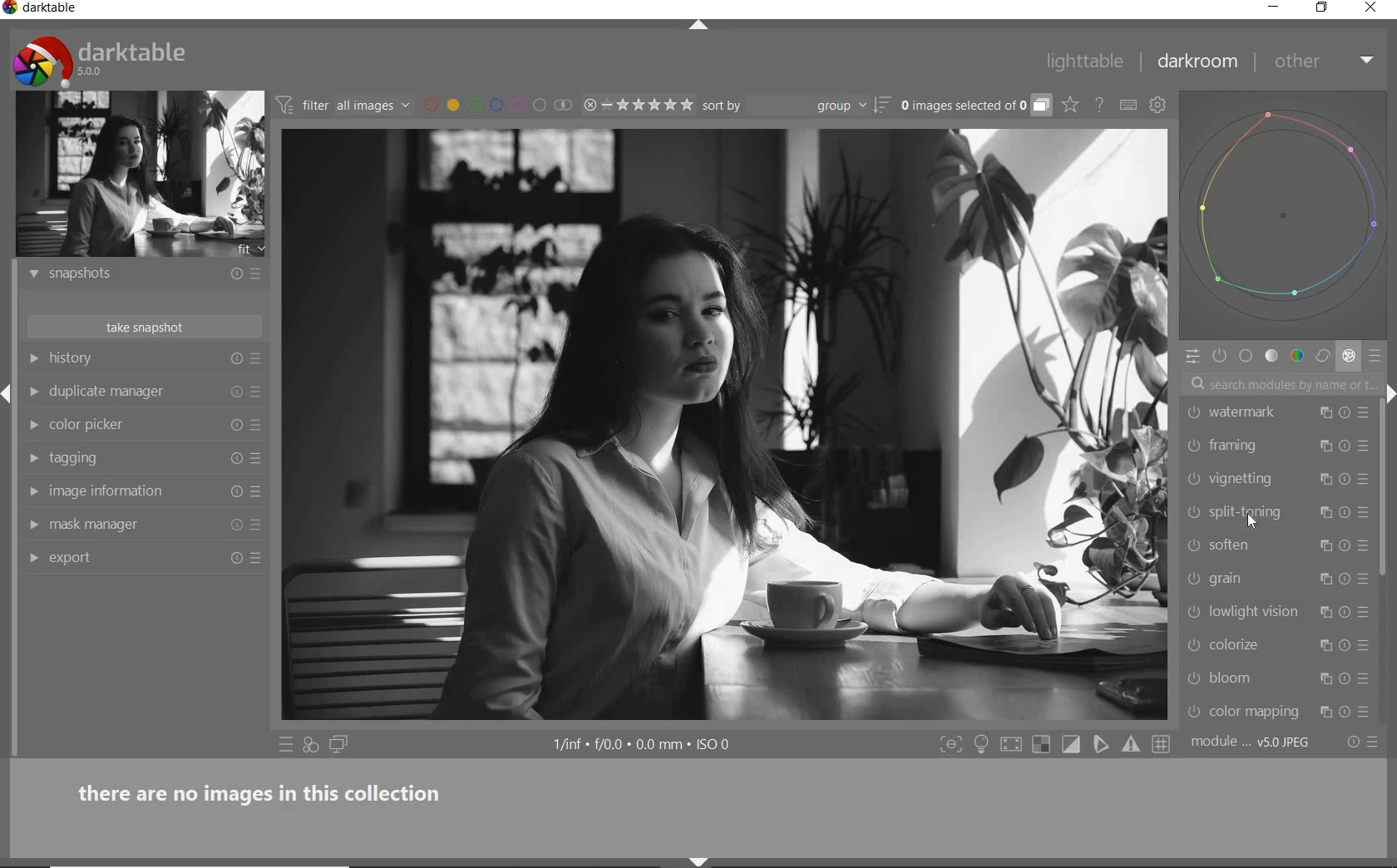 The height and width of the screenshot is (868, 1397). Describe the element at coordinates (1345, 412) in the screenshot. I see `reset` at that location.